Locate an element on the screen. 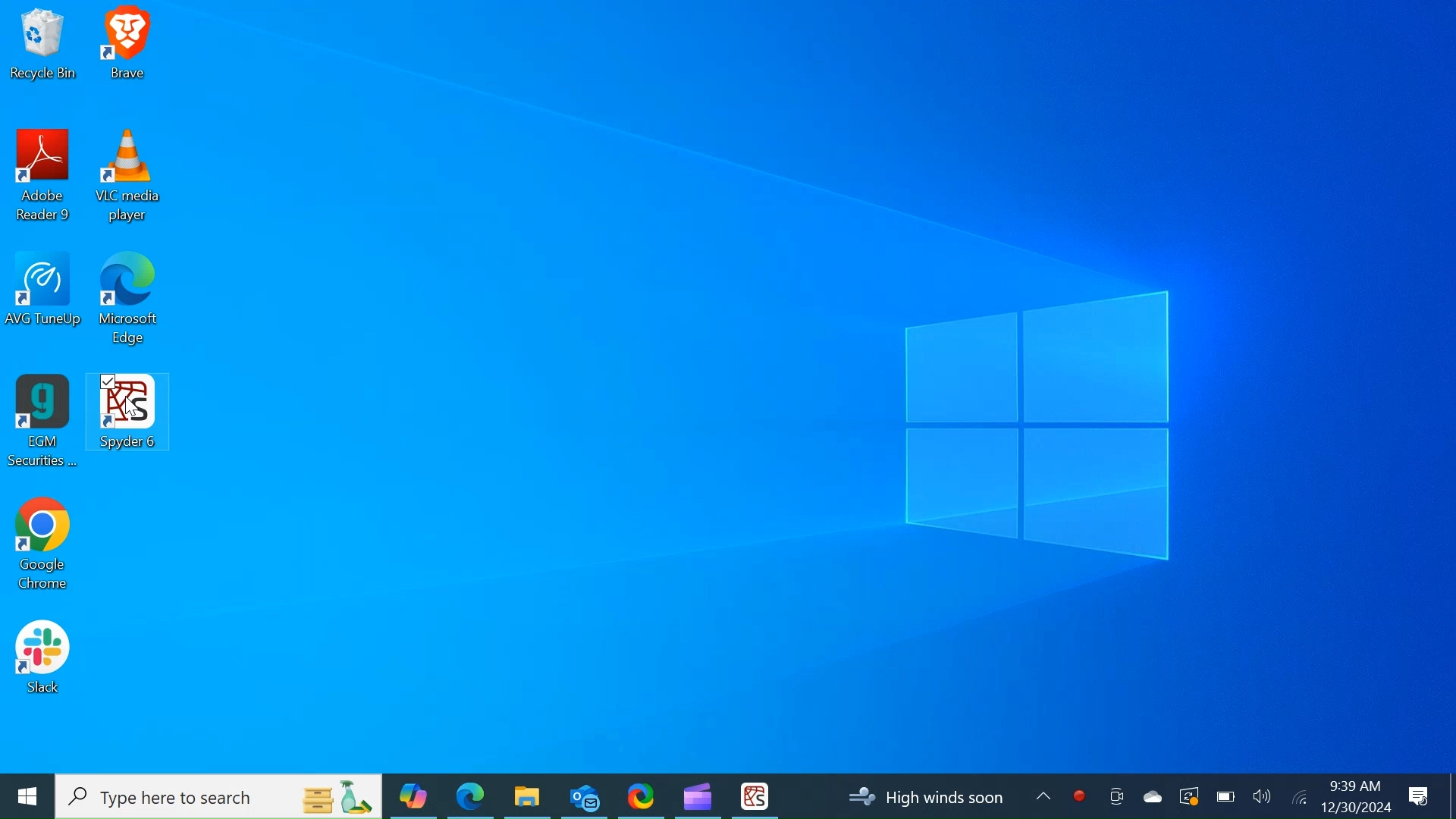 The height and width of the screenshot is (819, 1456). OneDrive is located at coordinates (1150, 795).